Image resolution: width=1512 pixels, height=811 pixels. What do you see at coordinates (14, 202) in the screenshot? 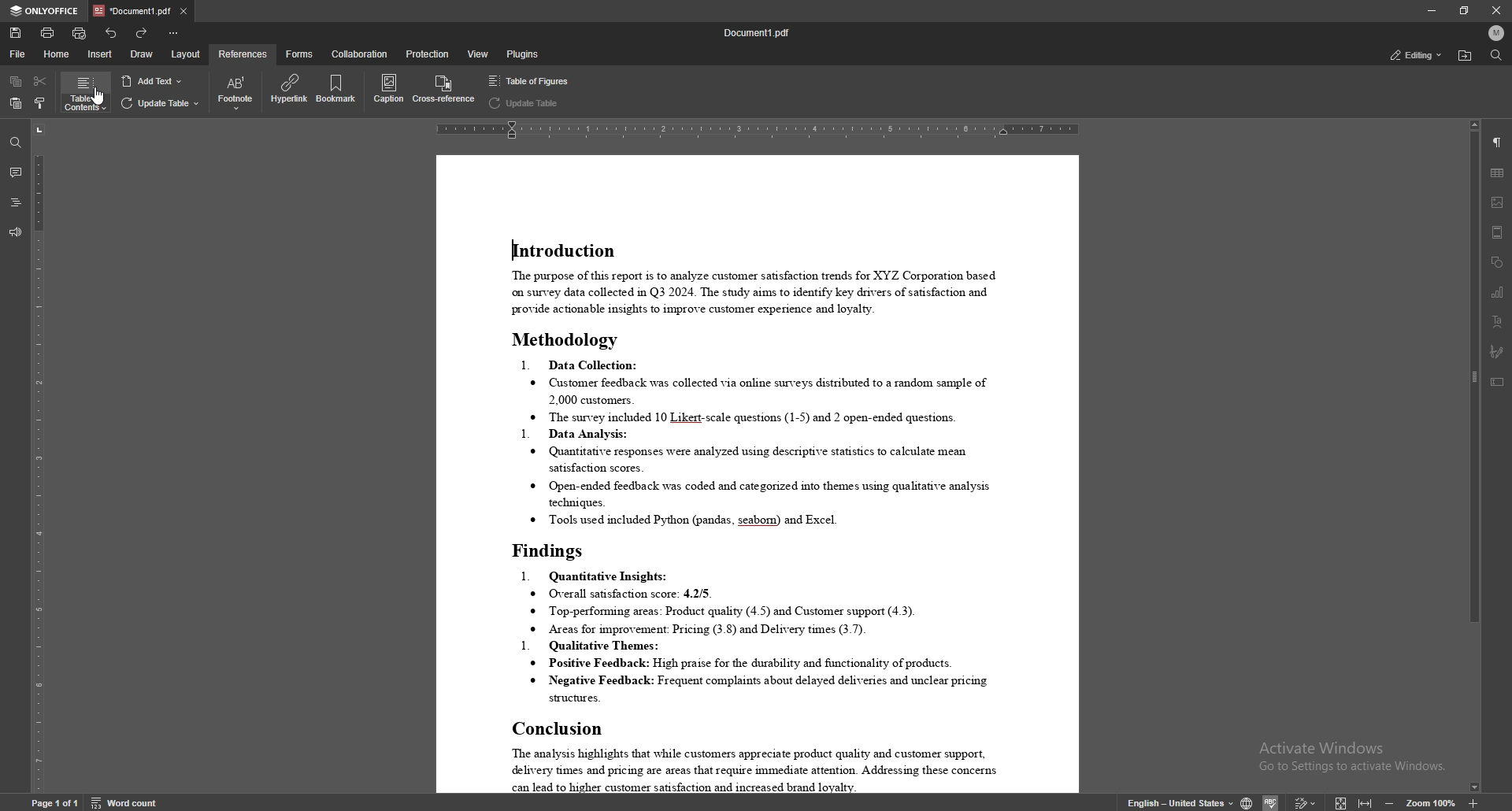
I see `headings` at bounding box center [14, 202].